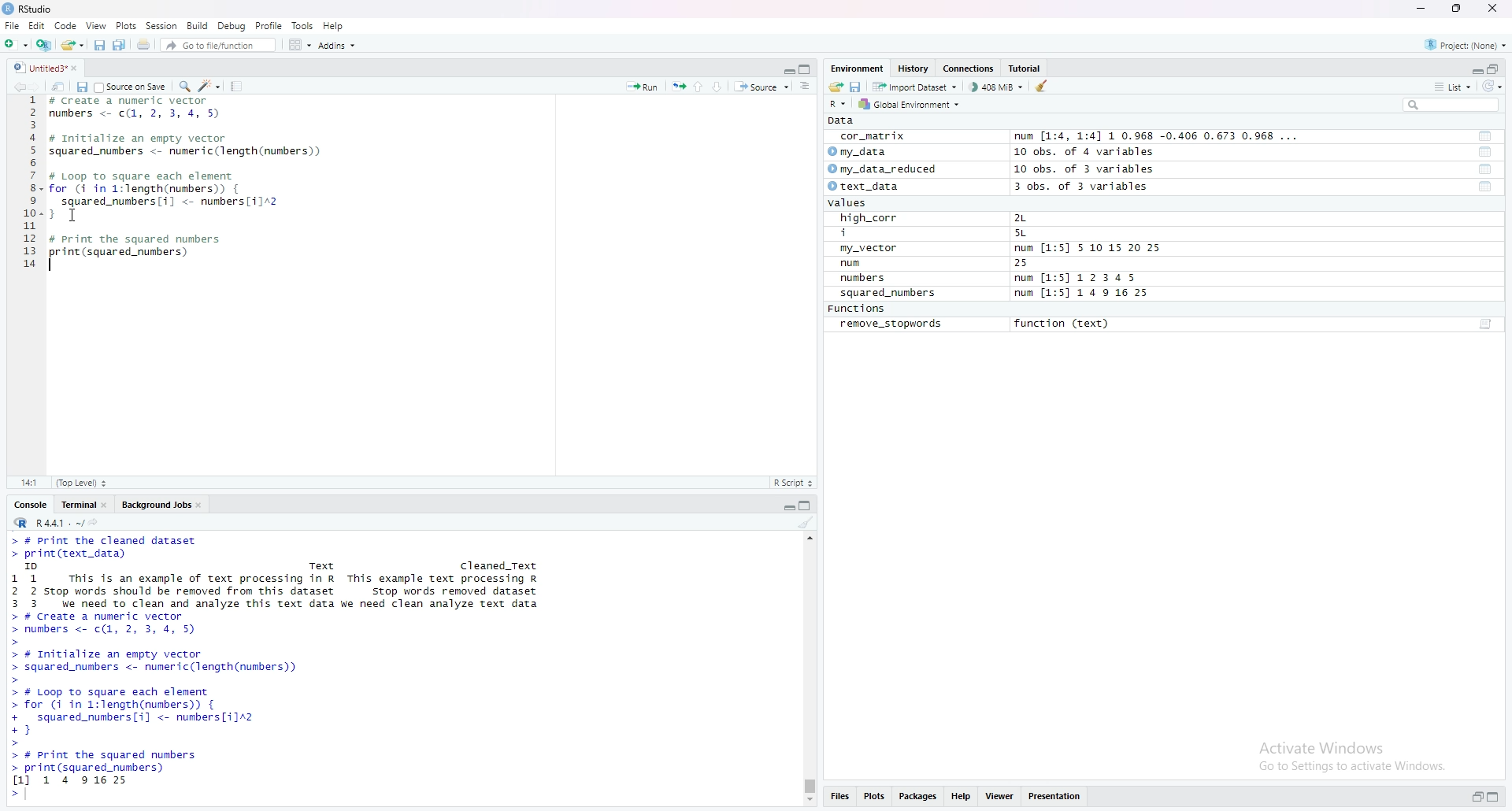 The image size is (1512, 811). Describe the element at coordinates (806, 86) in the screenshot. I see `Document outline` at that location.